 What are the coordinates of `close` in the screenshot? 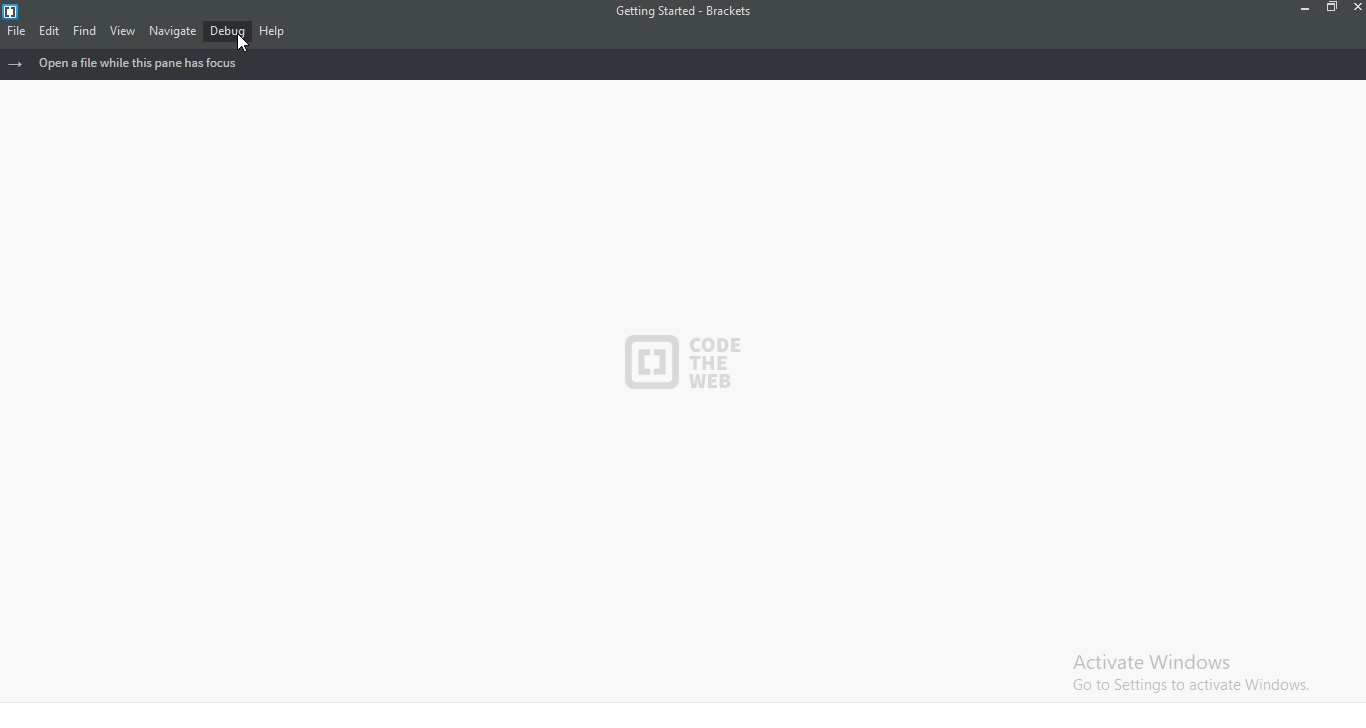 It's located at (1355, 11).